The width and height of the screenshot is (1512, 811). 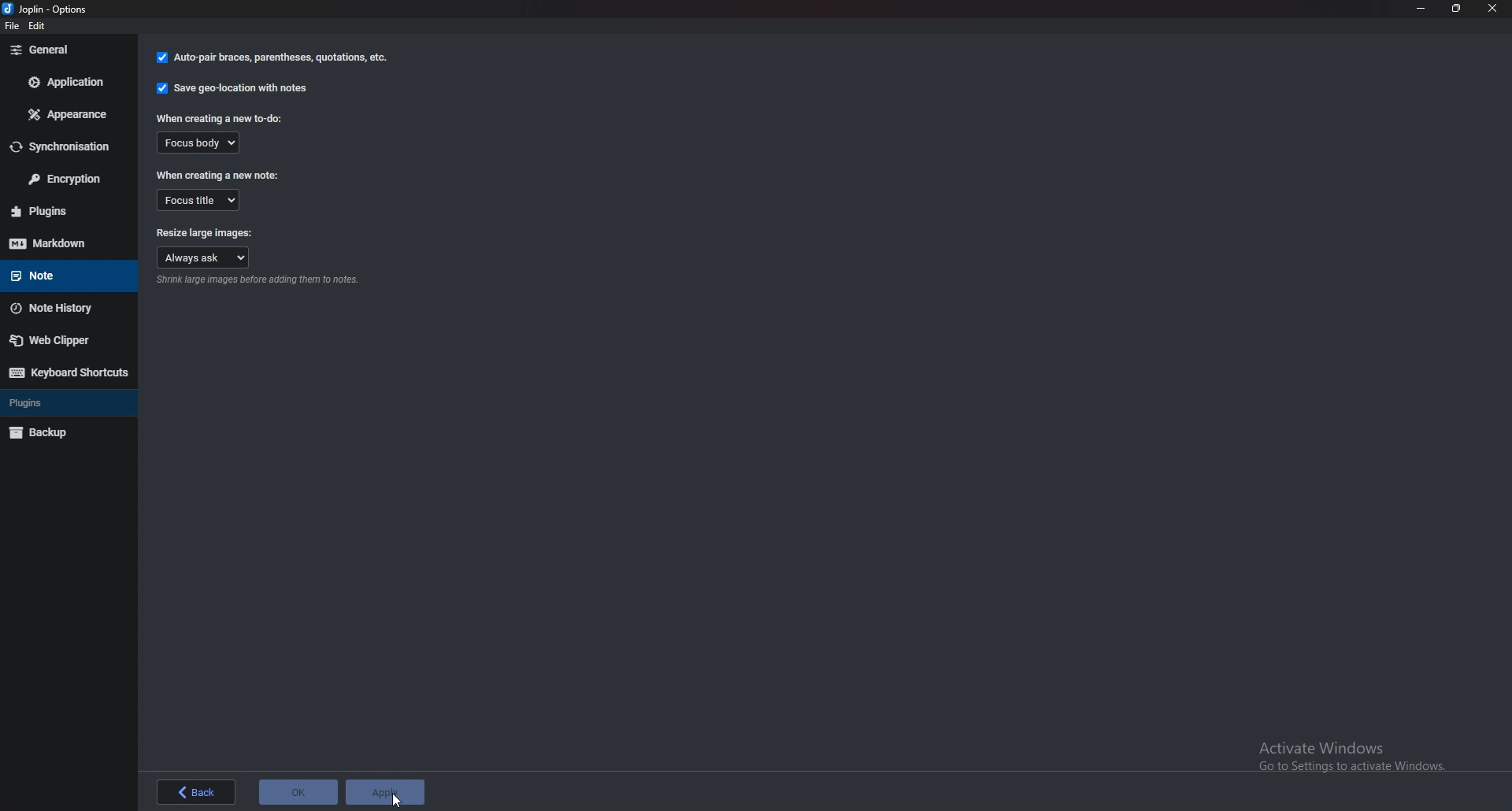 I want to click on note, so click(x=61, y=274).